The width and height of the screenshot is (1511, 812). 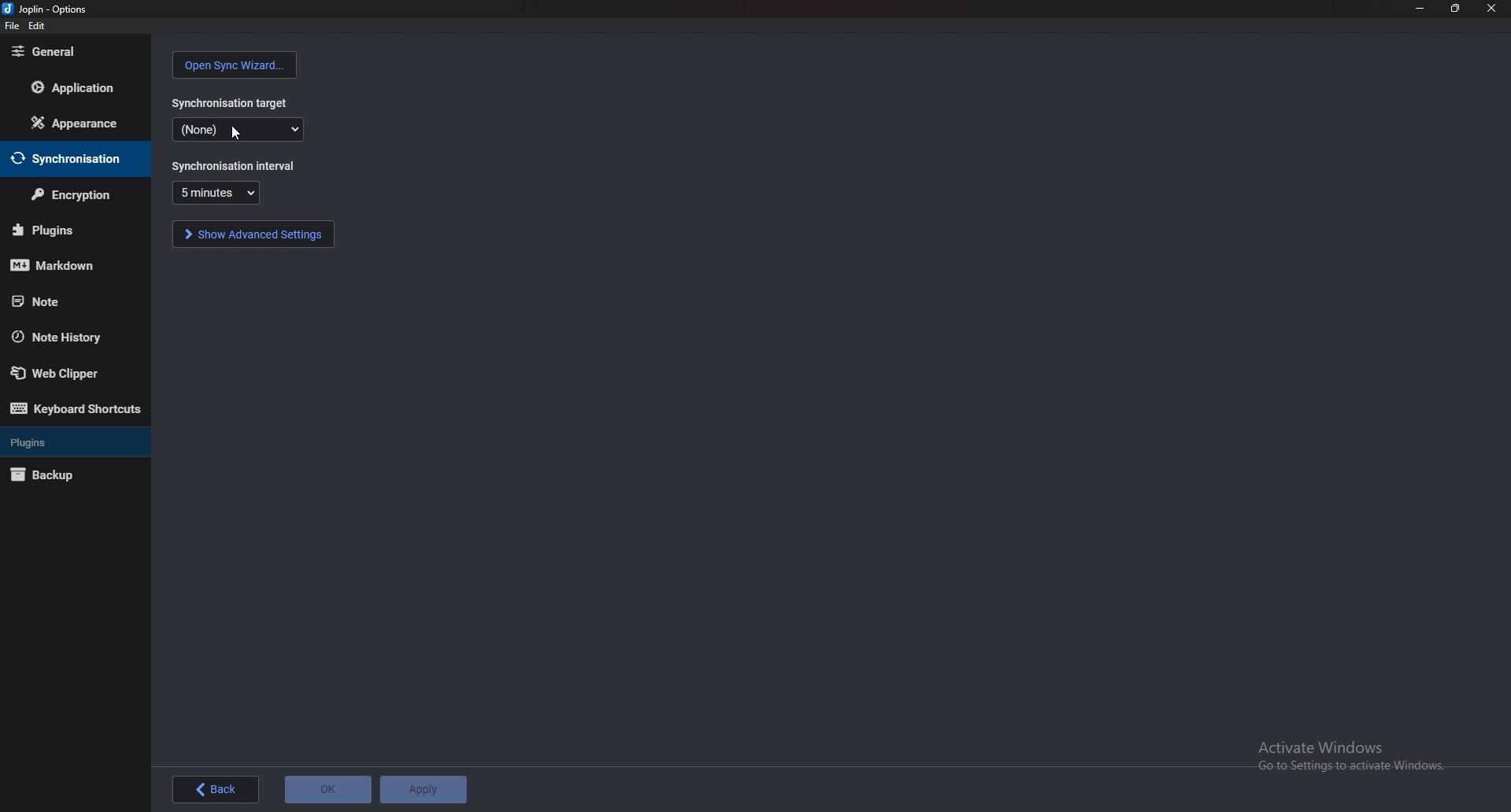 What do you see at coordinates (215, 789) in the screenshot?
I see `back` at bounding box center [215, 789].